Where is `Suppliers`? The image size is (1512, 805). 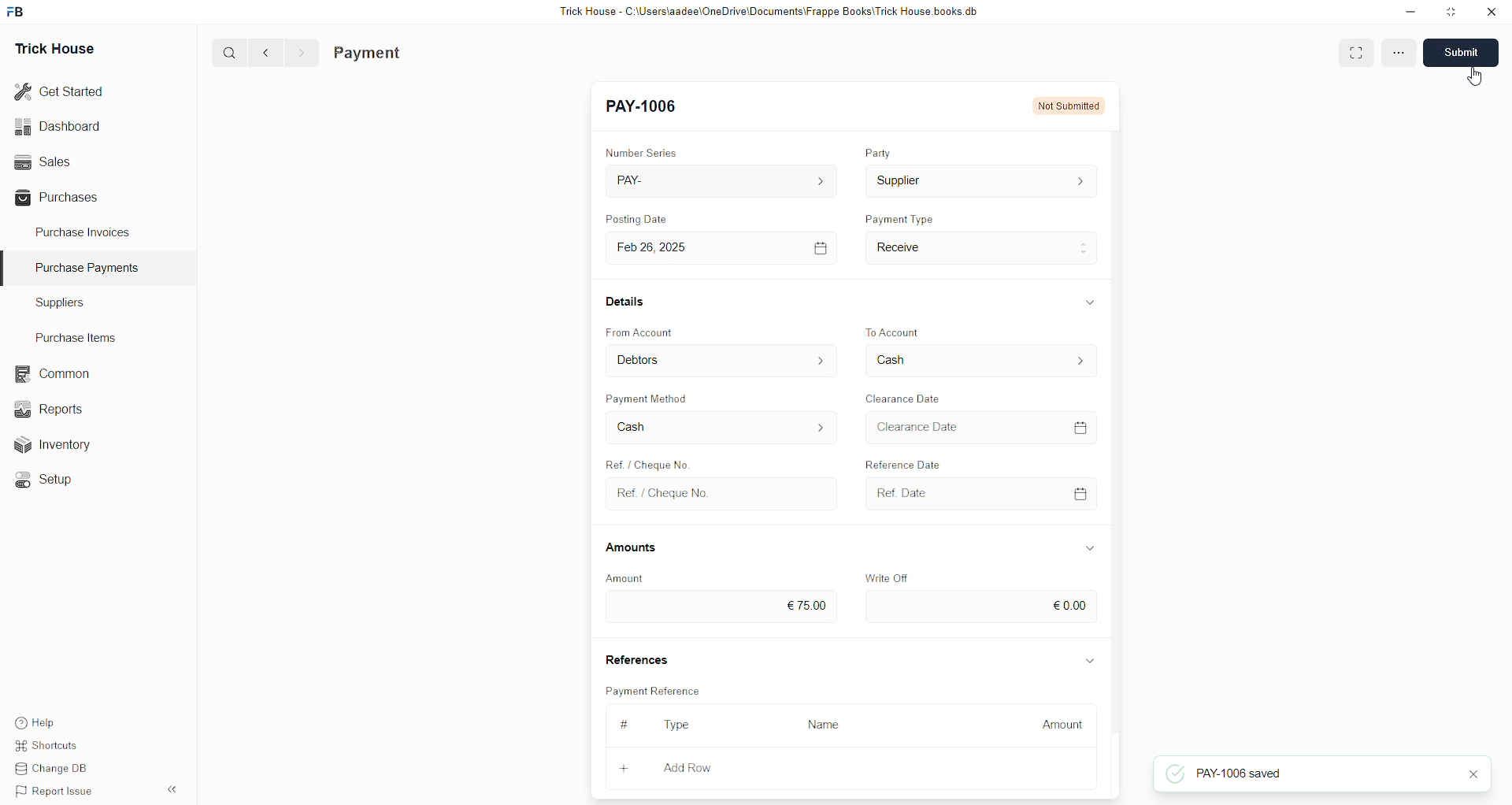 Suppliers is located at coordinates (77, 304).